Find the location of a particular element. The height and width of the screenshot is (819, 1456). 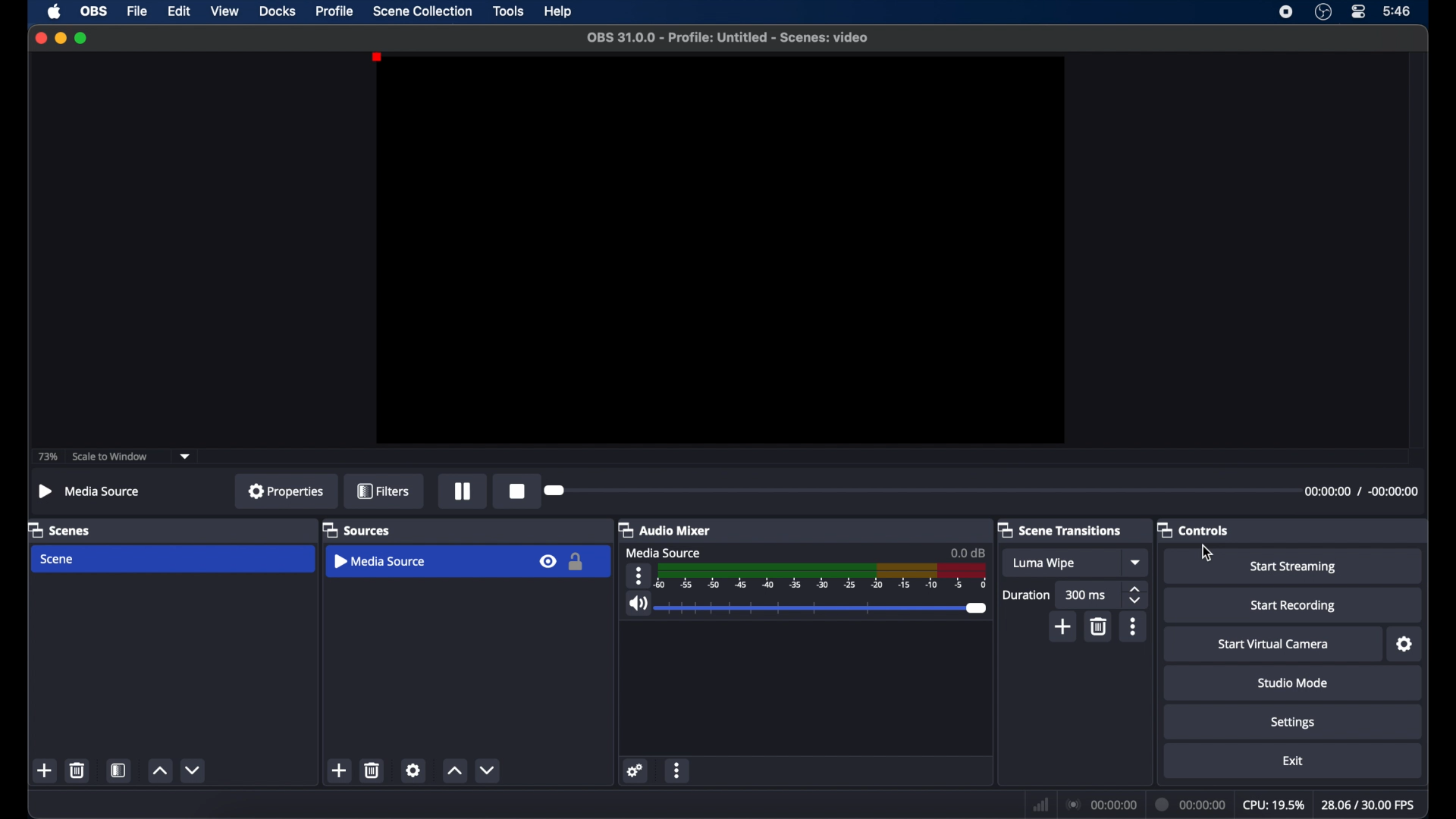

73% is located at coordinates (47, 457).